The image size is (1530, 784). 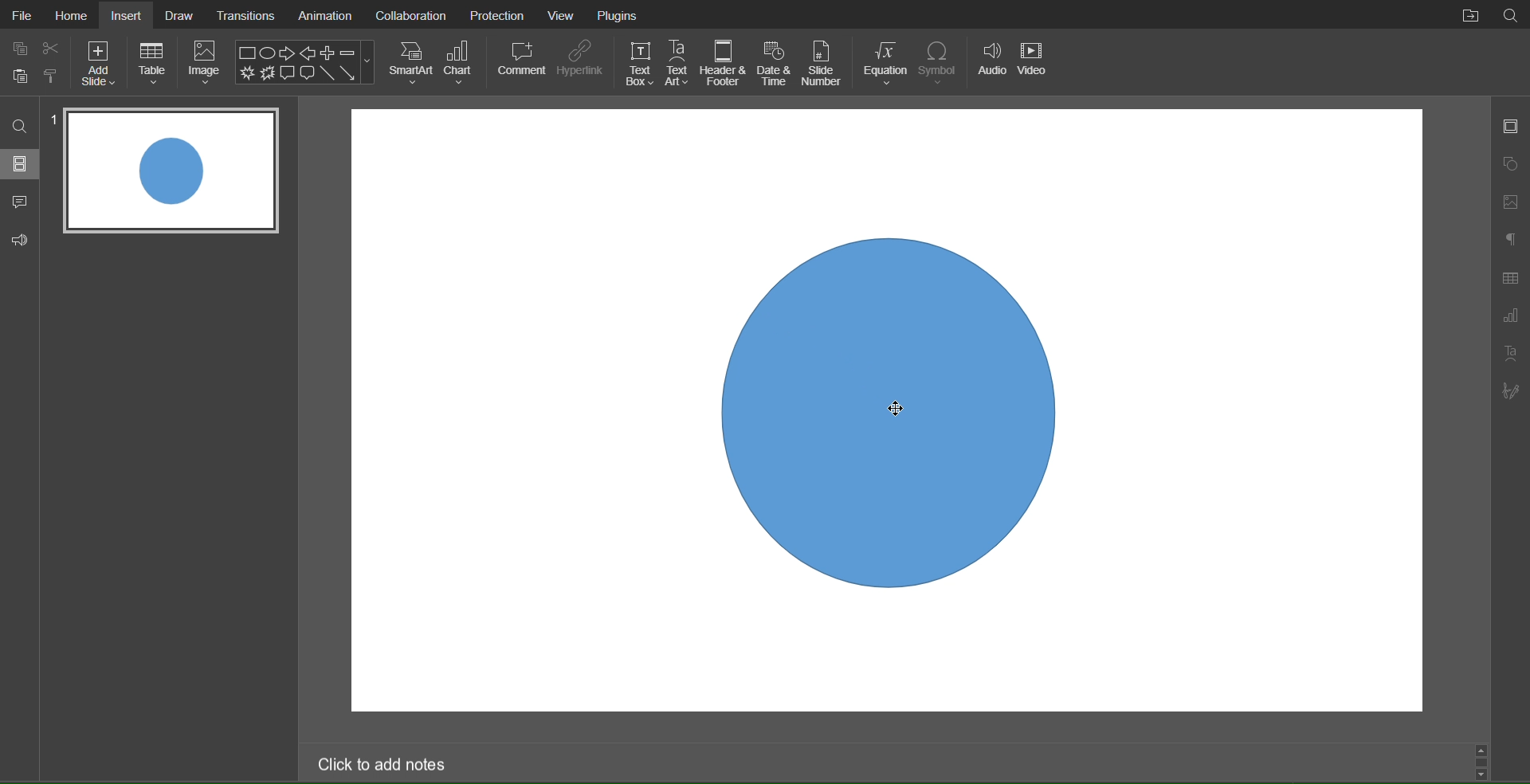 What do you see at coordinates (410, 14) in the screenshot?
I see `Collaboration` at bounding box center [410, 14].